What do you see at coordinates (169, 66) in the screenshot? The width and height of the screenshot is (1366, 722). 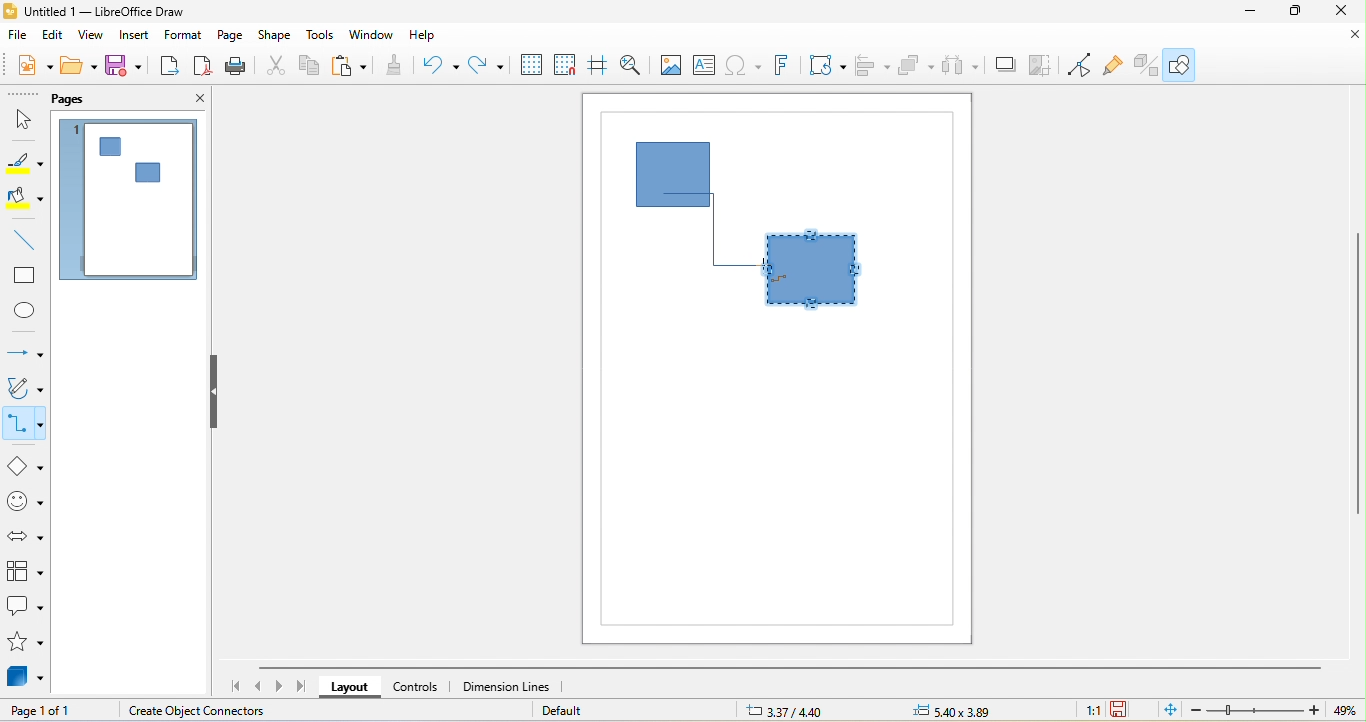 I see `export` at bounding box center [169, 66].